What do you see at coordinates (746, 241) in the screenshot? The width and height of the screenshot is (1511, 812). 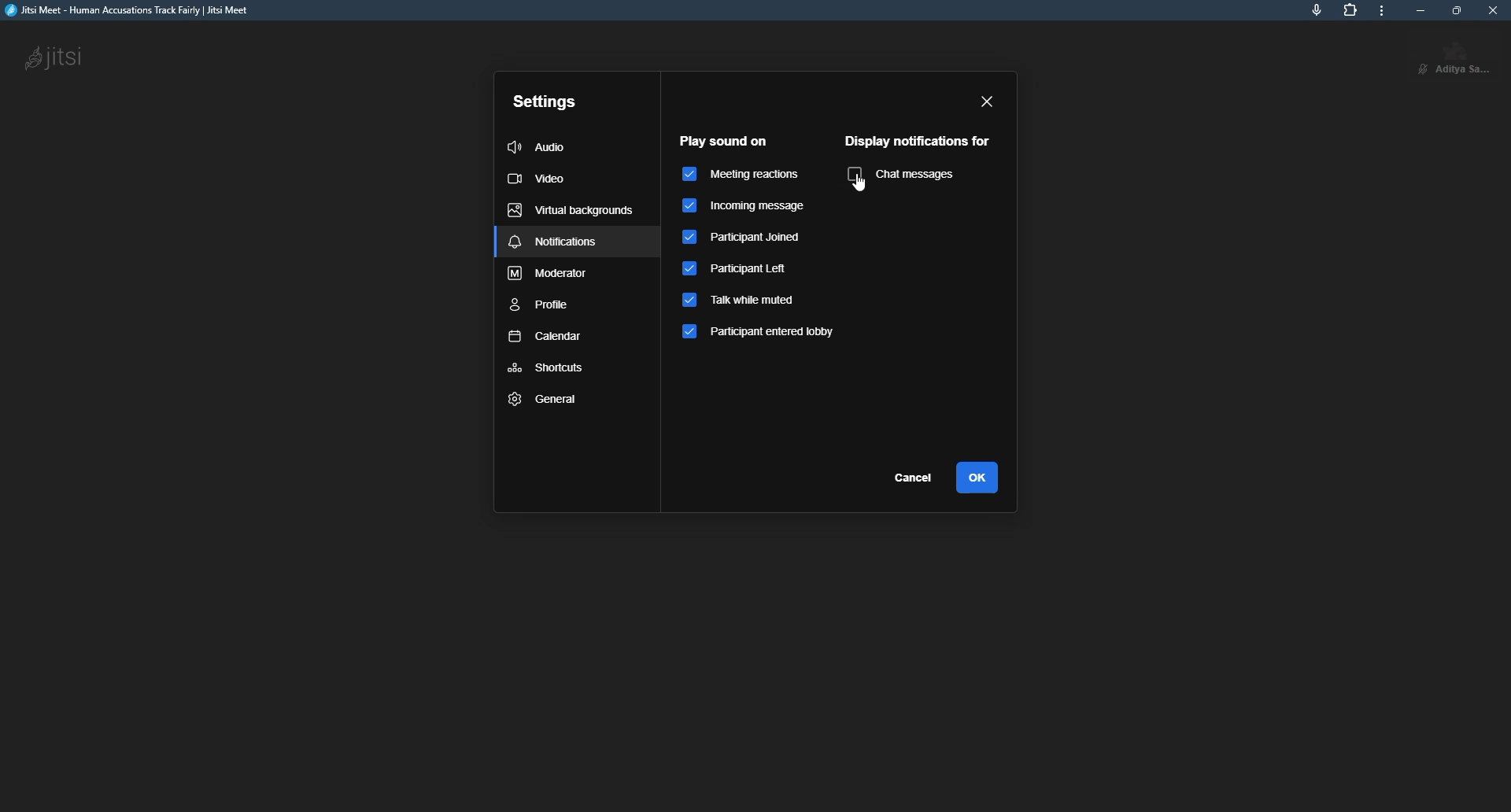 I see `participant joined` at bounding box center [746, 241].